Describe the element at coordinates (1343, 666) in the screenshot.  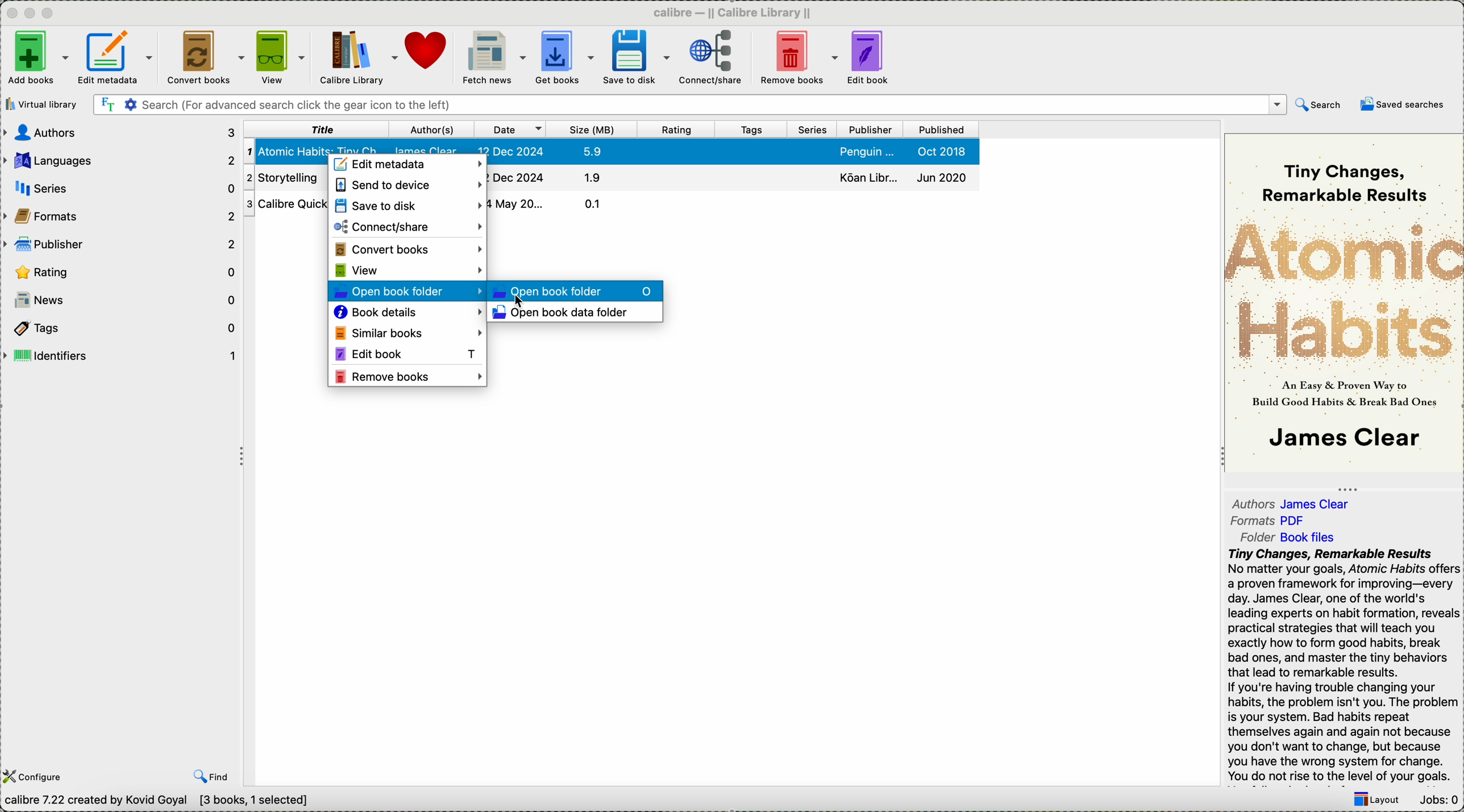
I see `summary` at that location.